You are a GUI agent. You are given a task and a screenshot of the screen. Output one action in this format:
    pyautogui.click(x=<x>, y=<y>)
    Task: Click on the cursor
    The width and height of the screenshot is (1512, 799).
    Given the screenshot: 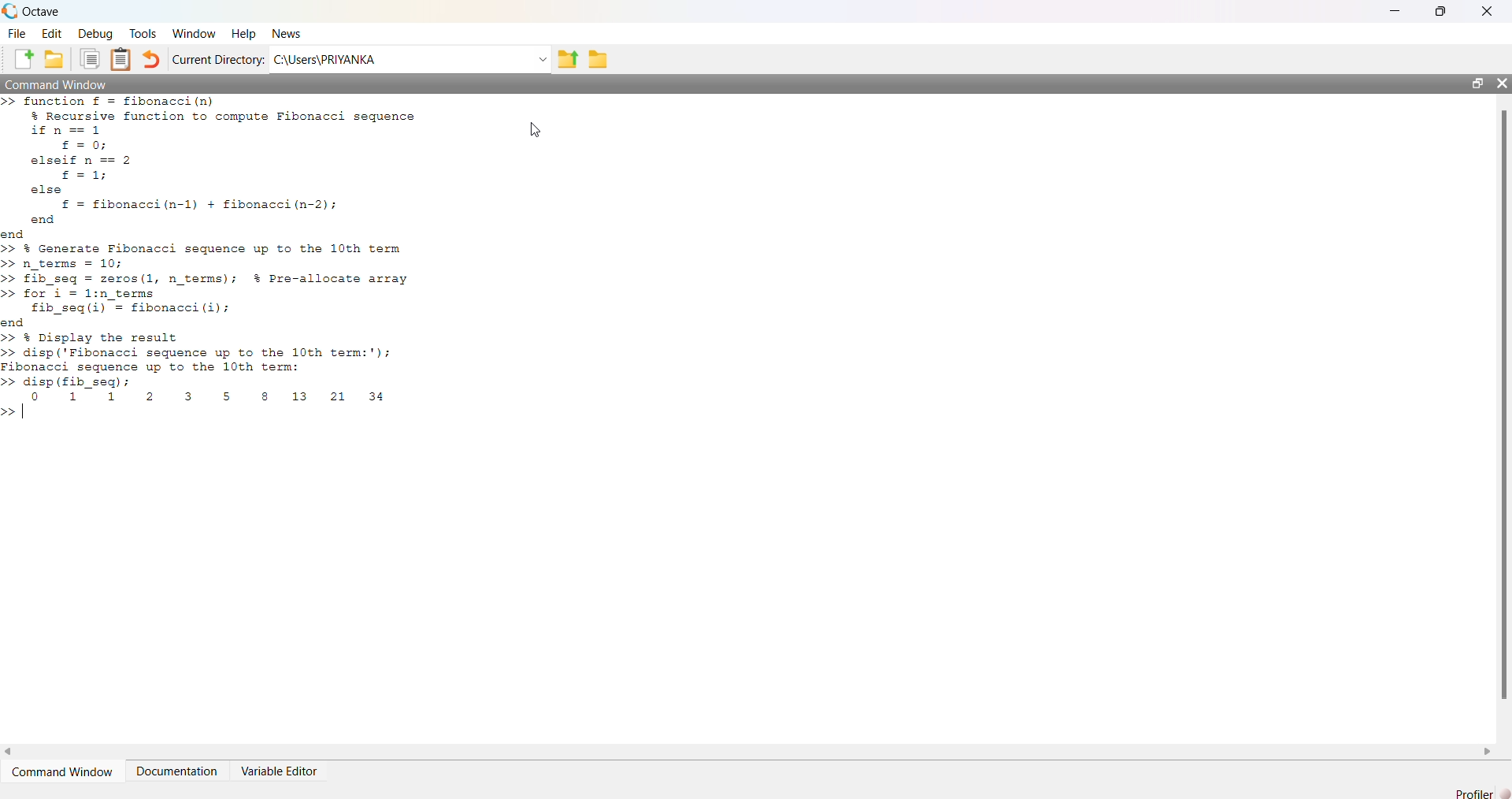 What is the action you would take?
    pyautogui.click(x=539, y=132)
    